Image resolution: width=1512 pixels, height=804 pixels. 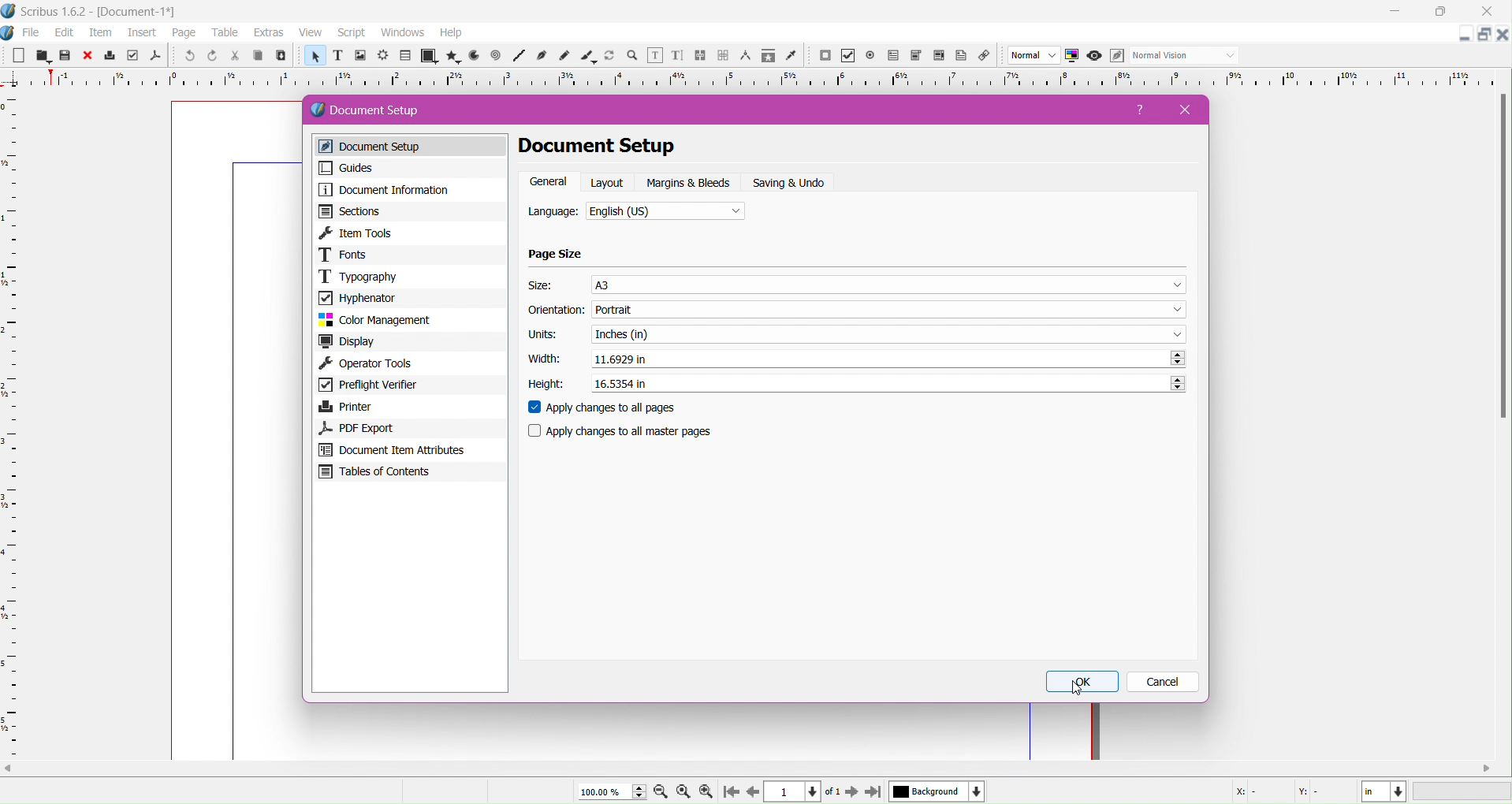 I want to click on Select the required Unit, so click(x=888, y=333).